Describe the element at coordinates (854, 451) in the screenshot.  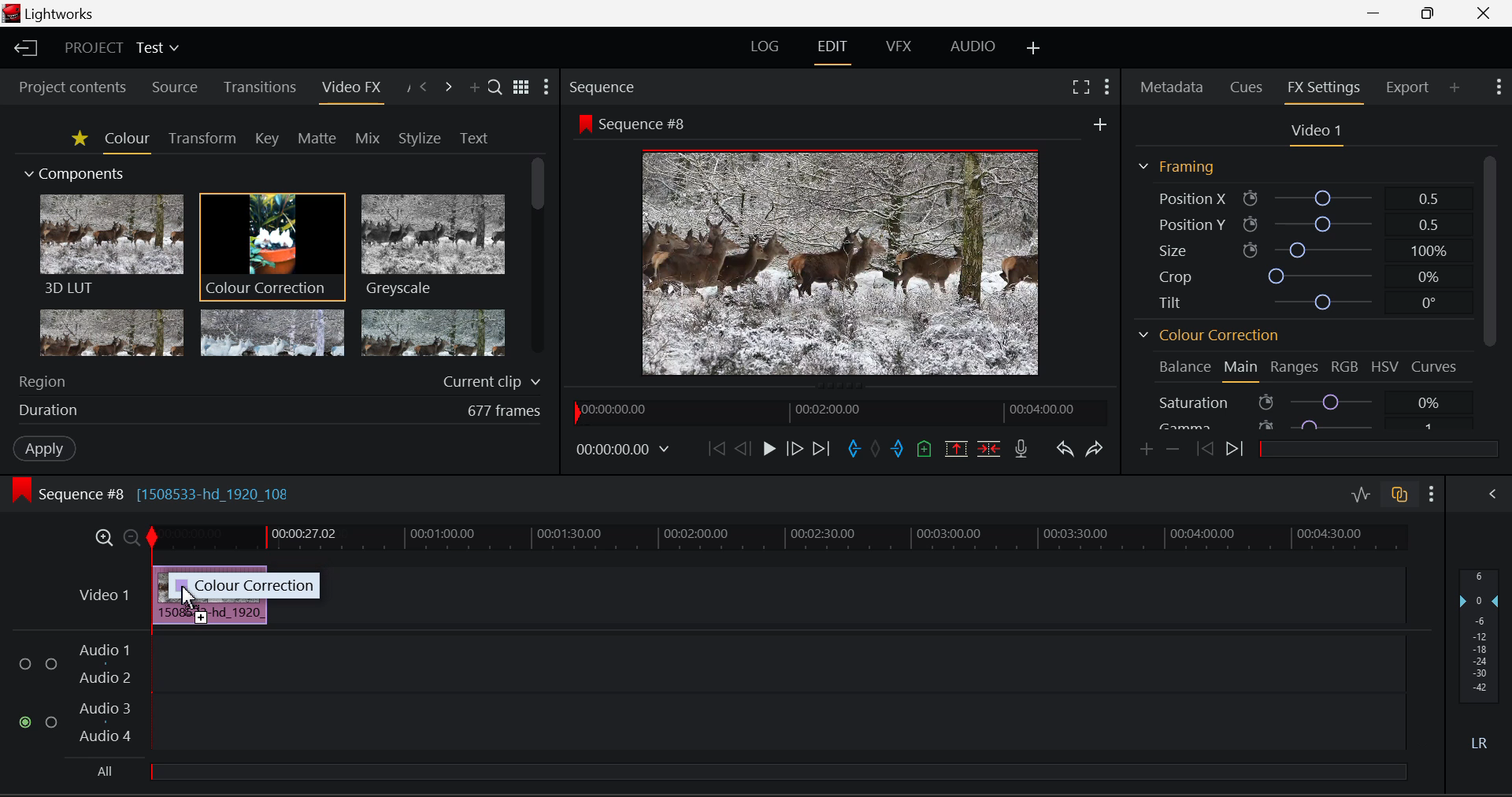
I see `Mark In` at that location.